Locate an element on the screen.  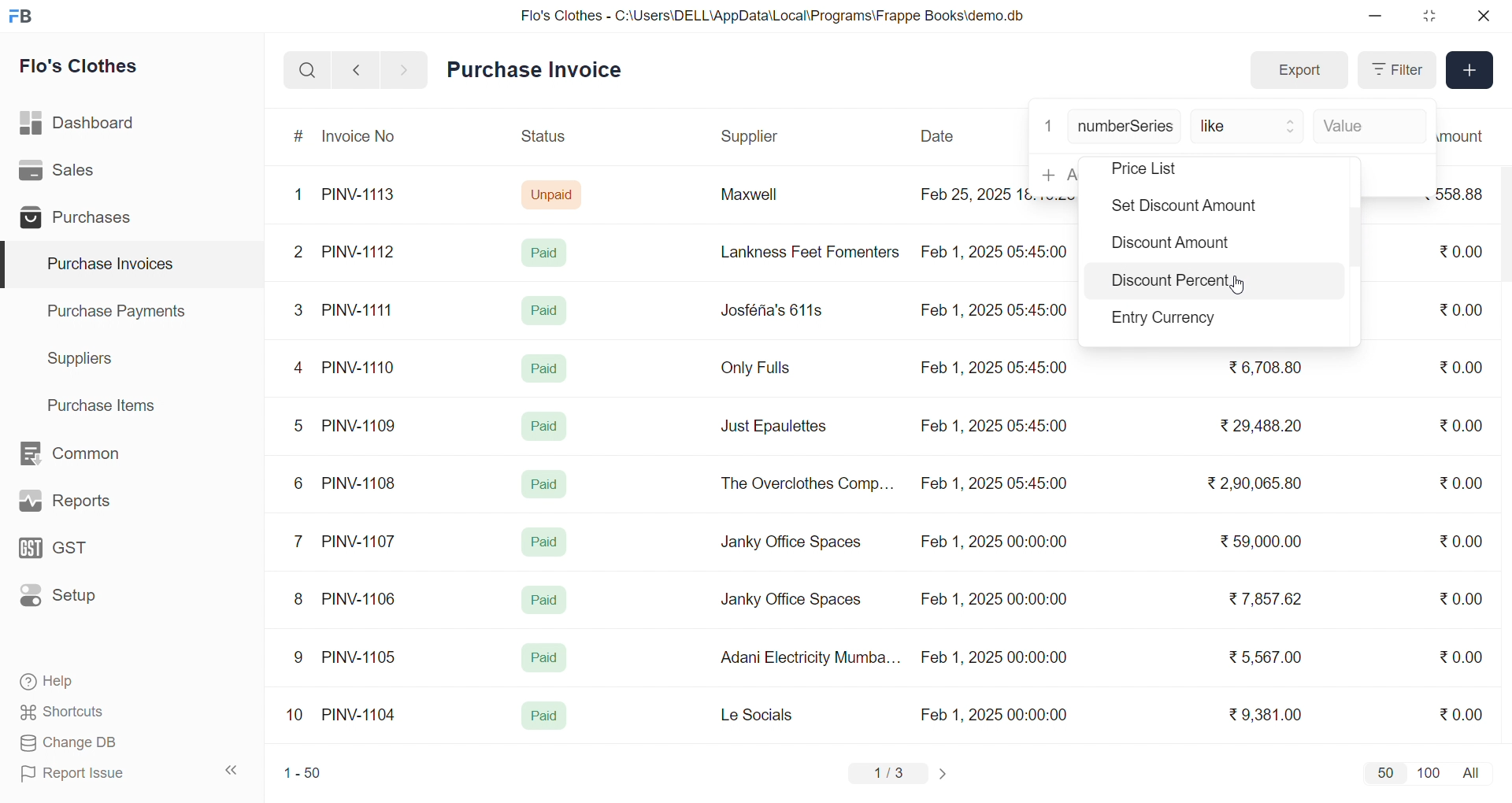
4 is located at coordinates (302, 368).